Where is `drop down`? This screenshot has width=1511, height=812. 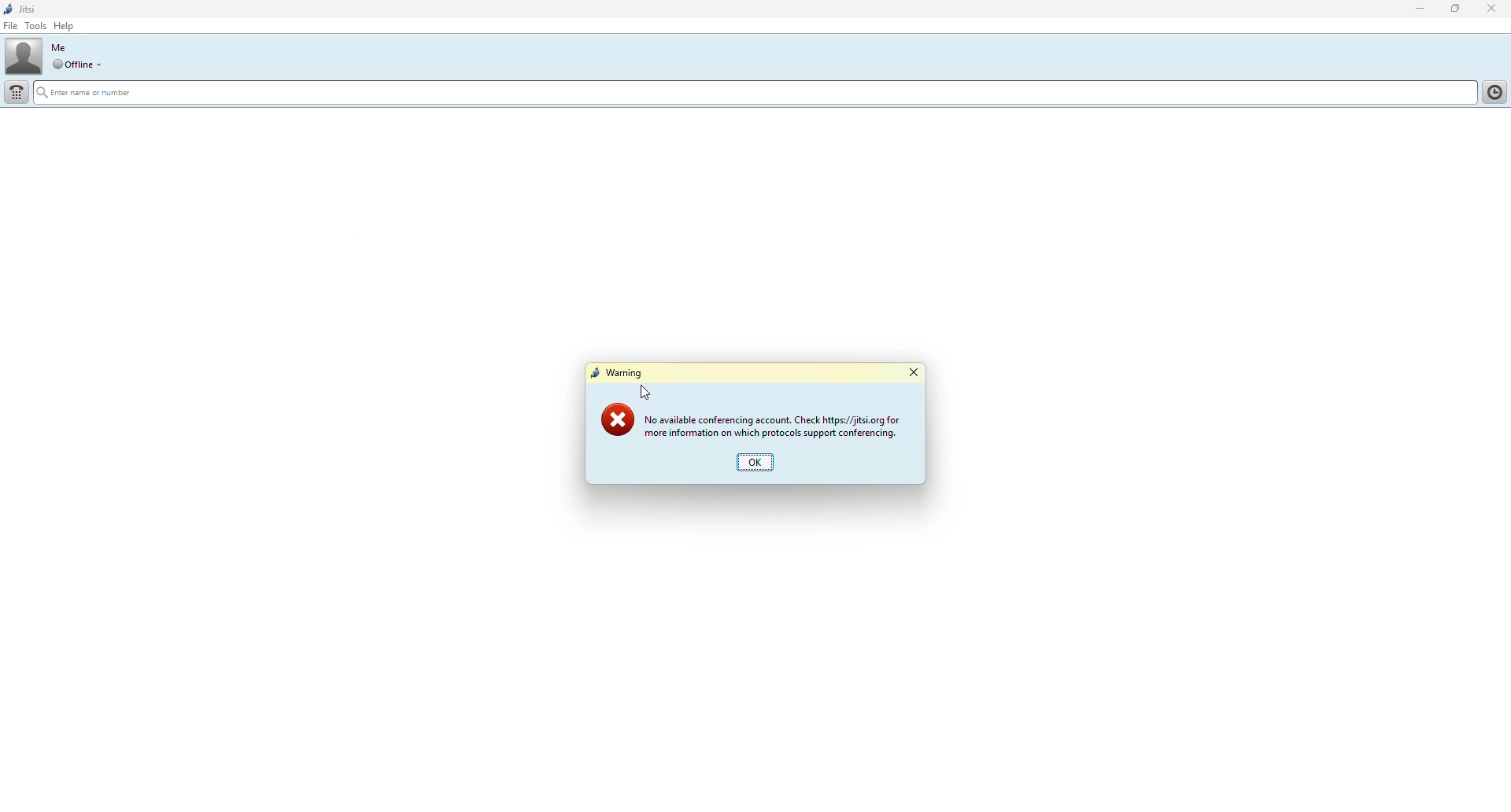 drop down is located at coordinates (71, 64).